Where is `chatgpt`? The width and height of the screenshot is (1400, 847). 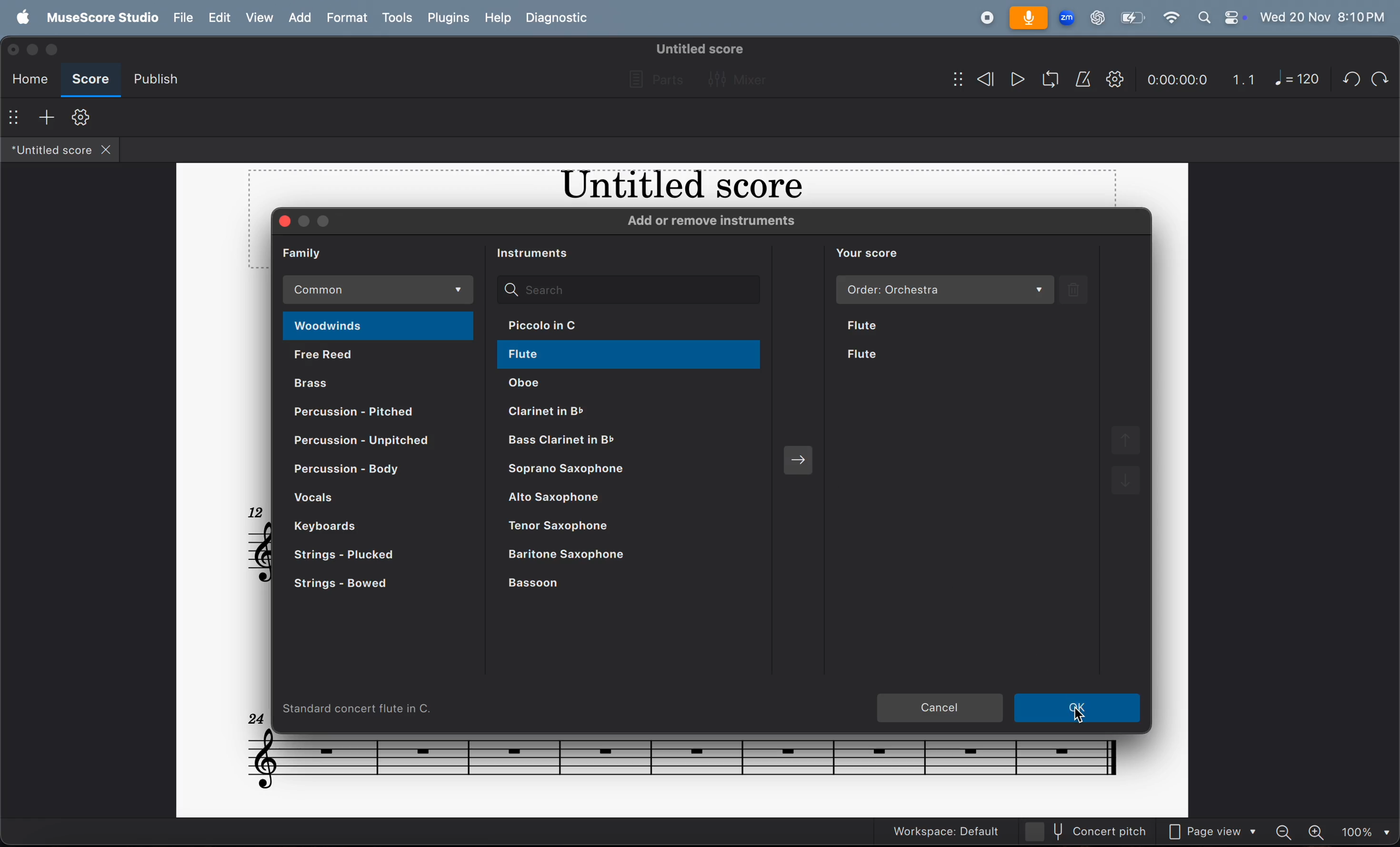 chatgpt is located at coordinates (1098, 17).